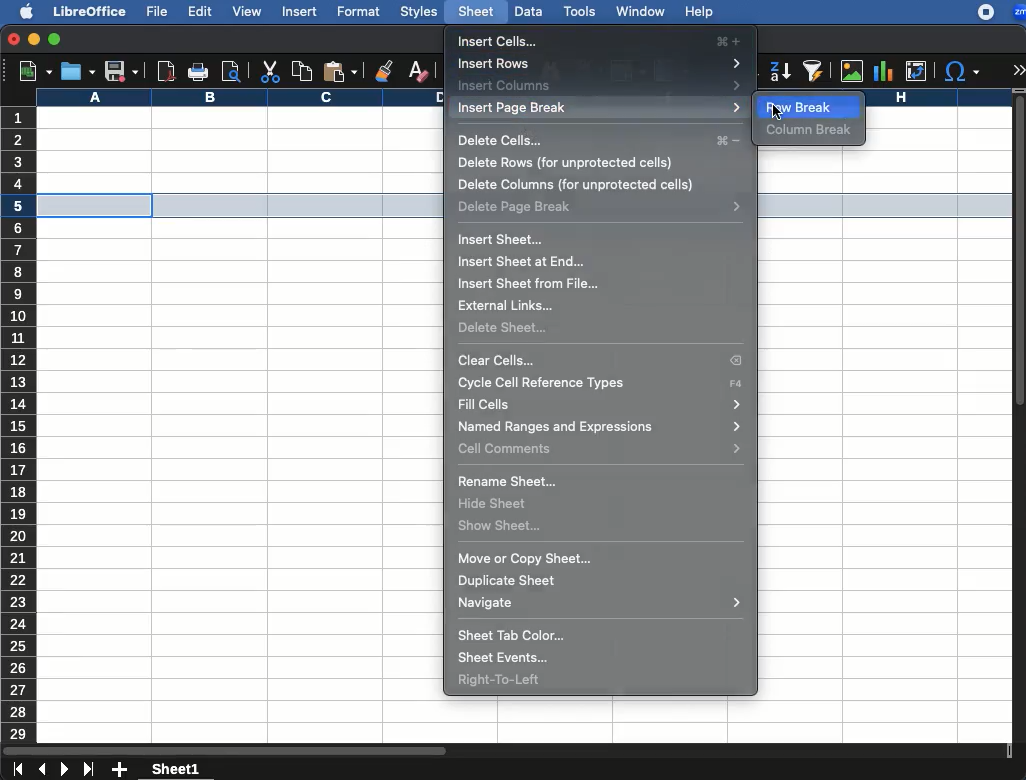 Image resolution: width=1026 pixels, height=780 pixels. What do you see at coordinates (599, 85) in the screenshot?
I see `insert columns` at bounding box center [599, 85].